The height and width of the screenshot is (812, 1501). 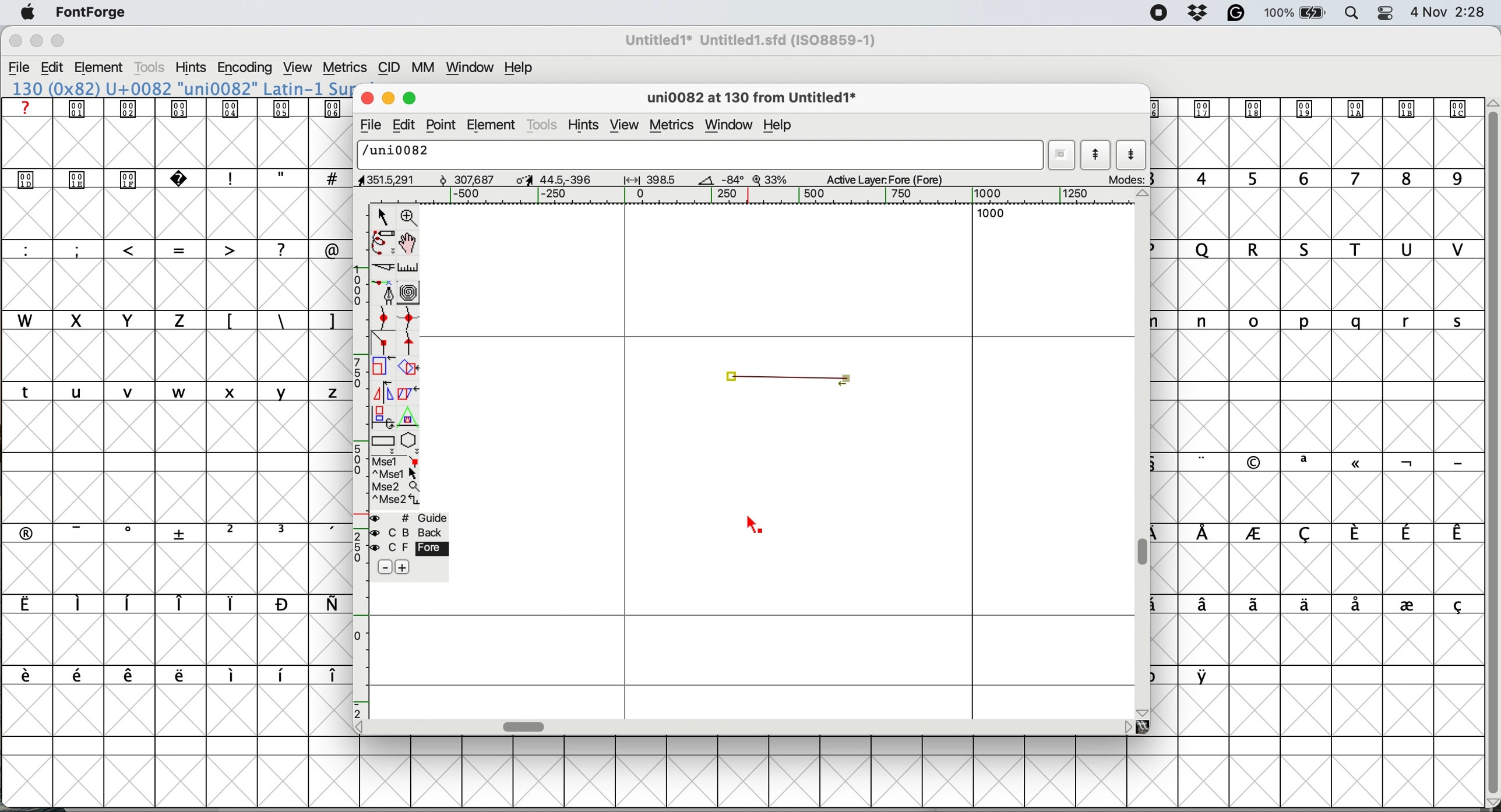 What do you see at coordinates (362, 460) in the screenshot?
I see `vertical scale` at bounding box center [362, 460].